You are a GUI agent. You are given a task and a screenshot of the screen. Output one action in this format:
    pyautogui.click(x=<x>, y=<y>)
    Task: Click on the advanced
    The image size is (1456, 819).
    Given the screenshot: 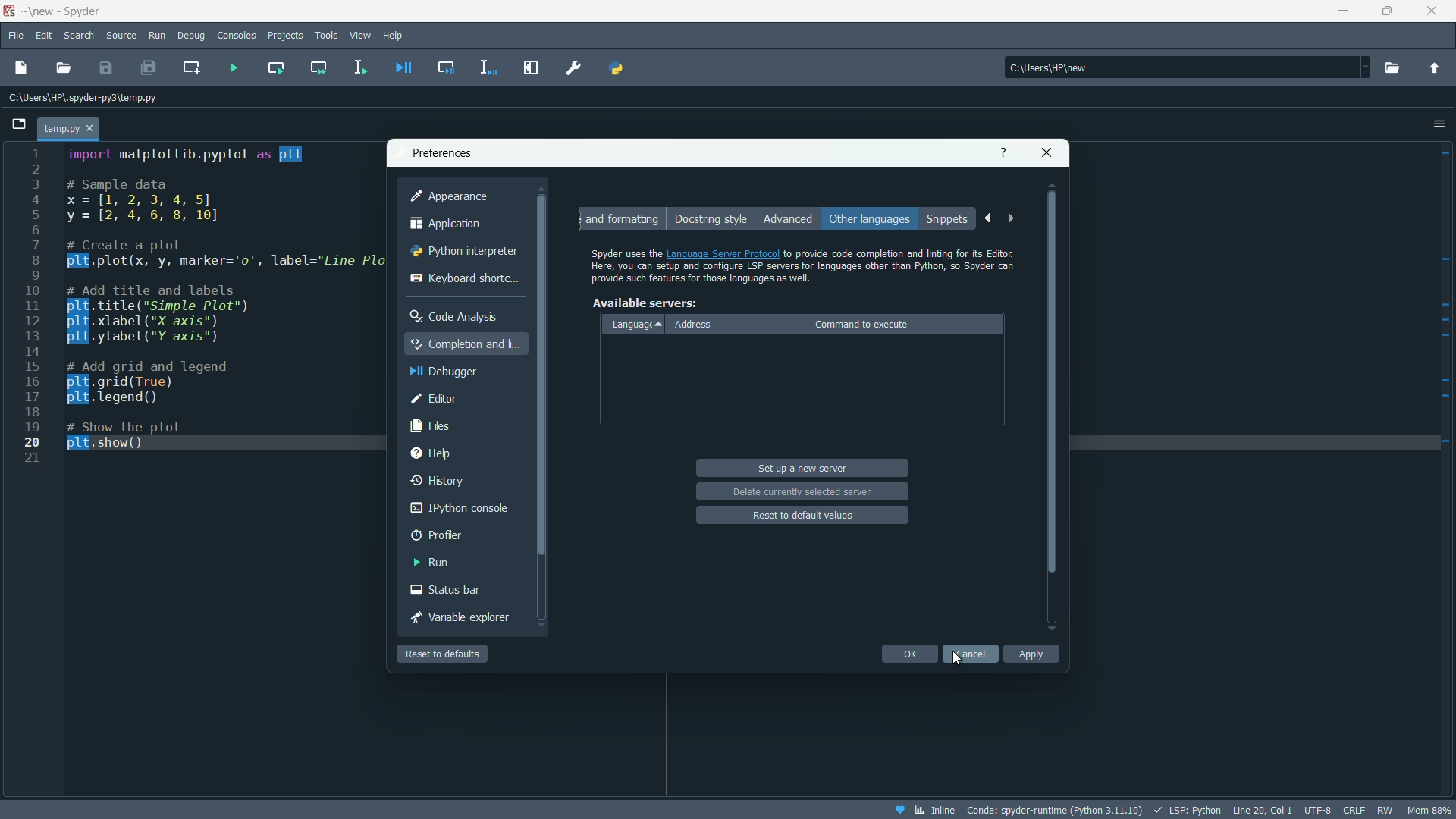 What is the action you would take?
    pyautogui.click(x=786, y=218)
    